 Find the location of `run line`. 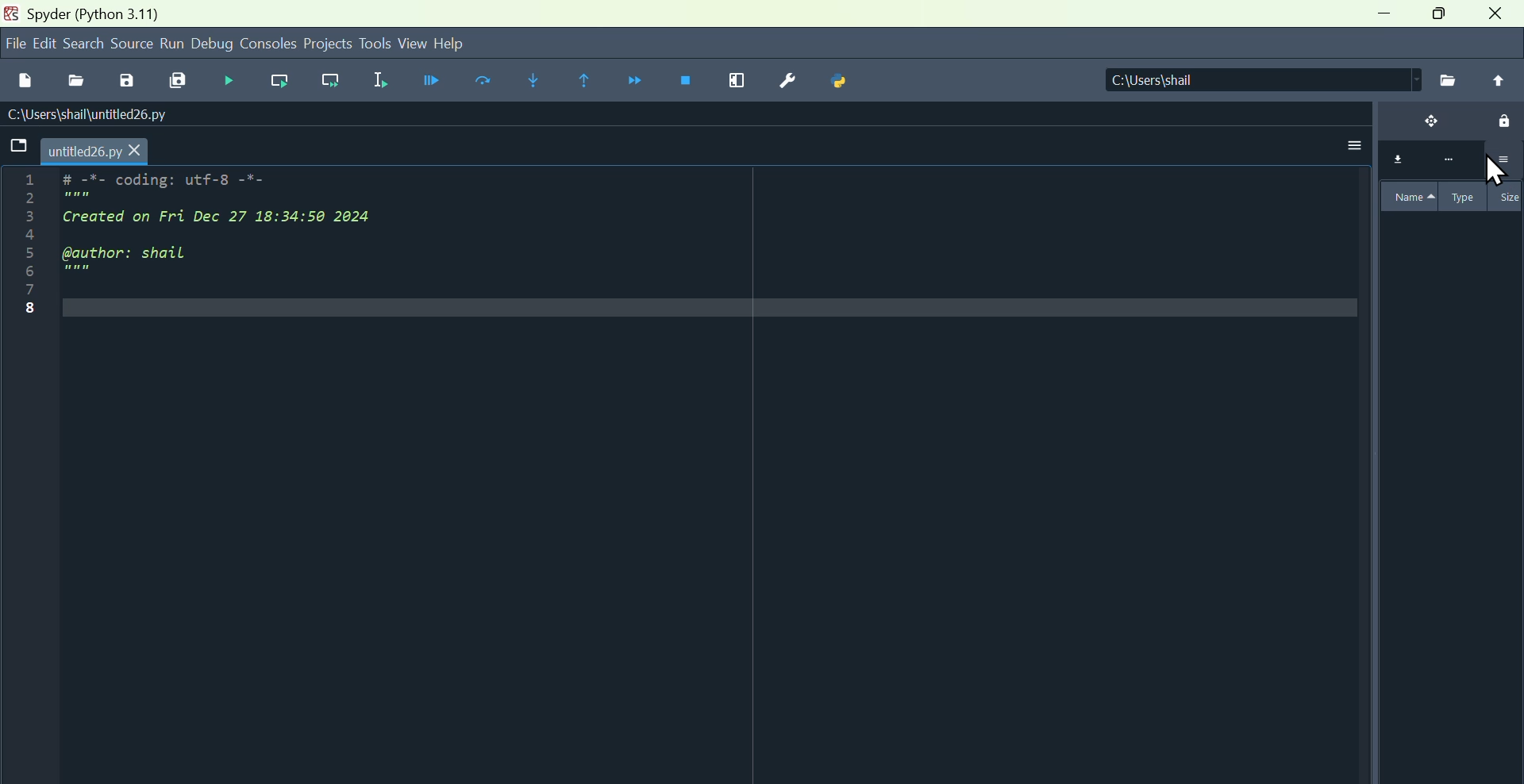

run line is located at coordinates (275, 81).